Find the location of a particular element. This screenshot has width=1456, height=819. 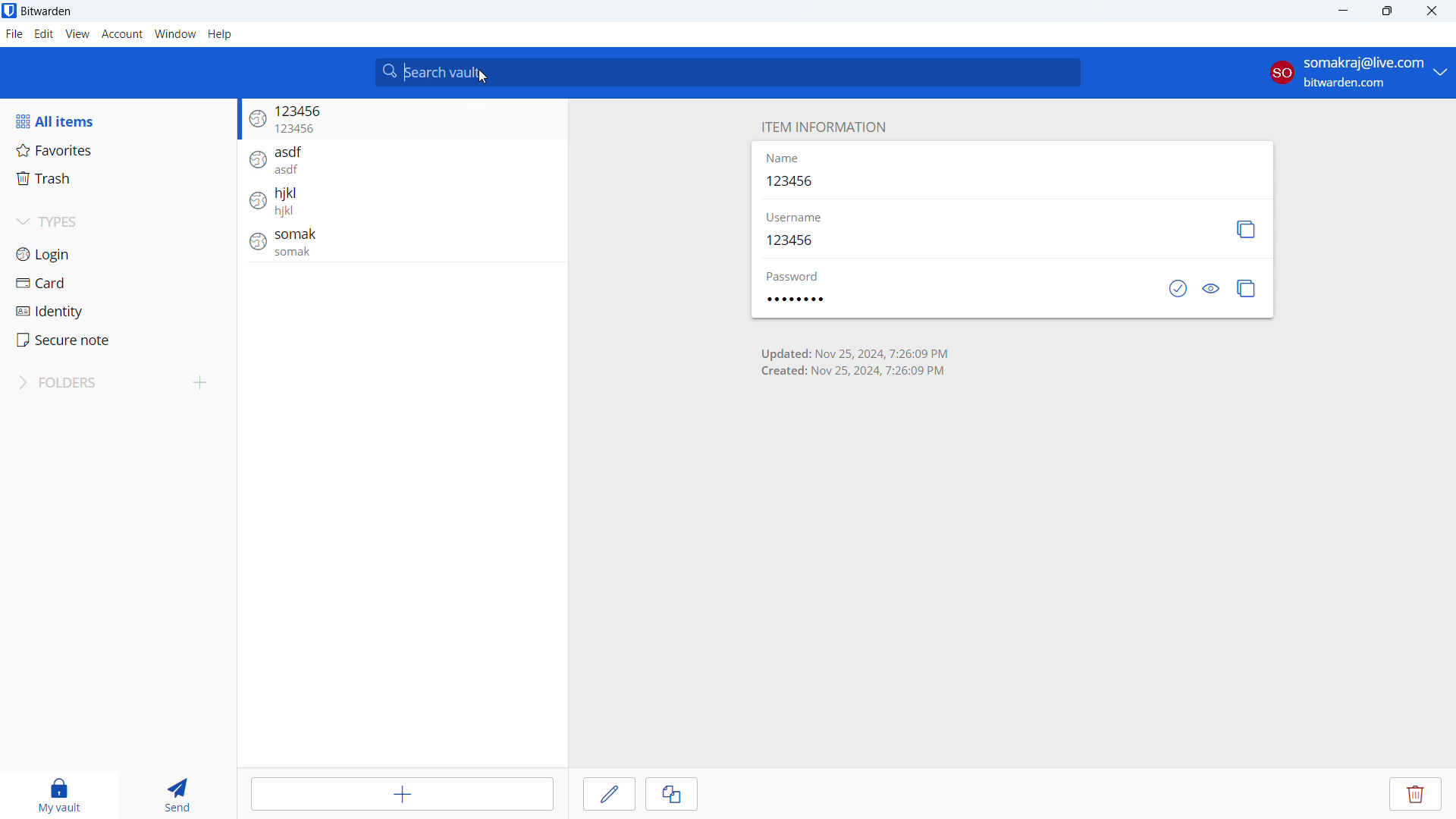

delete entry is located at coordinates (1416, 794).